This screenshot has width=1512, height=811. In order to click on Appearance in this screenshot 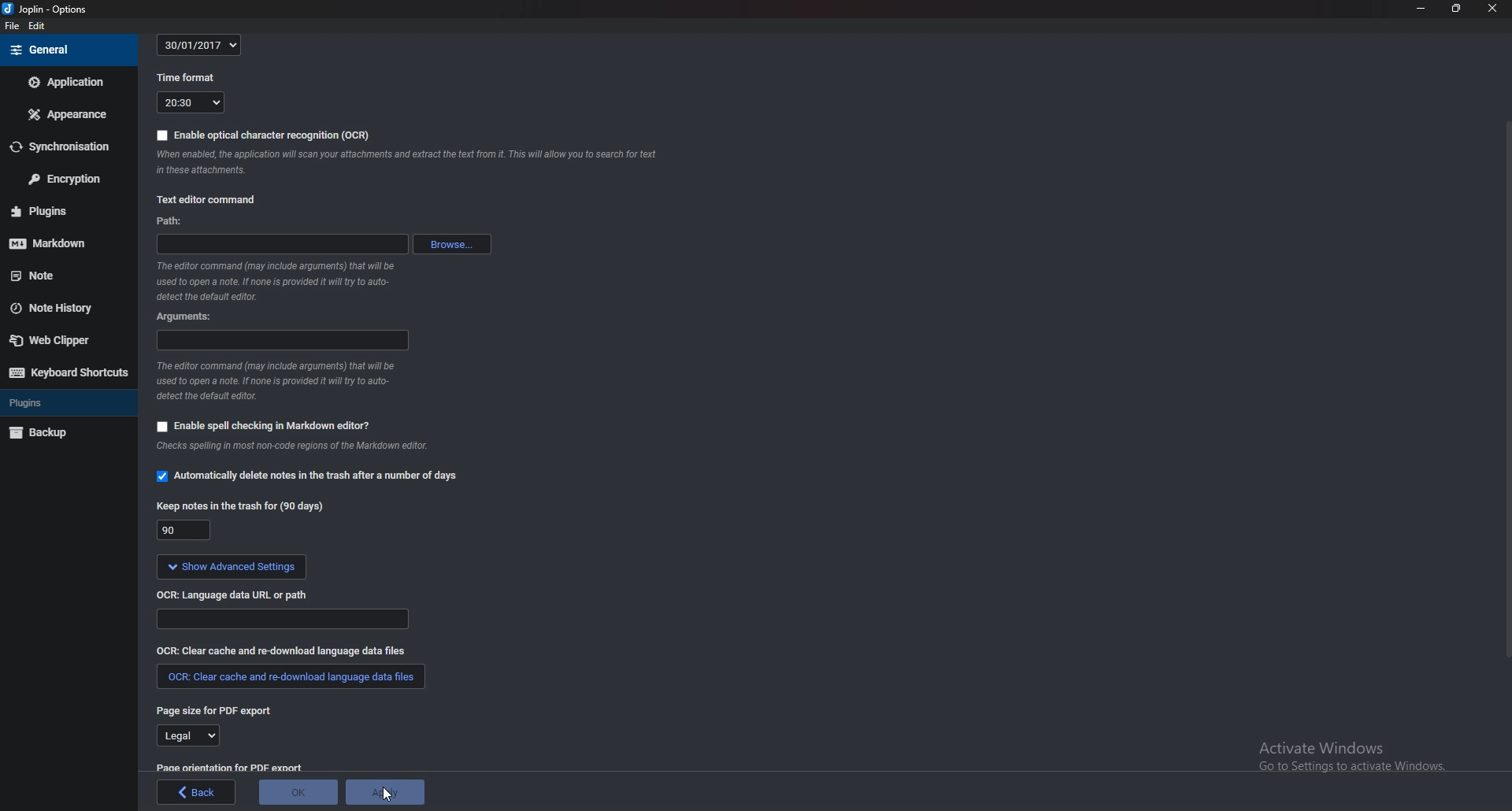, I will do `click(65, 116)`.